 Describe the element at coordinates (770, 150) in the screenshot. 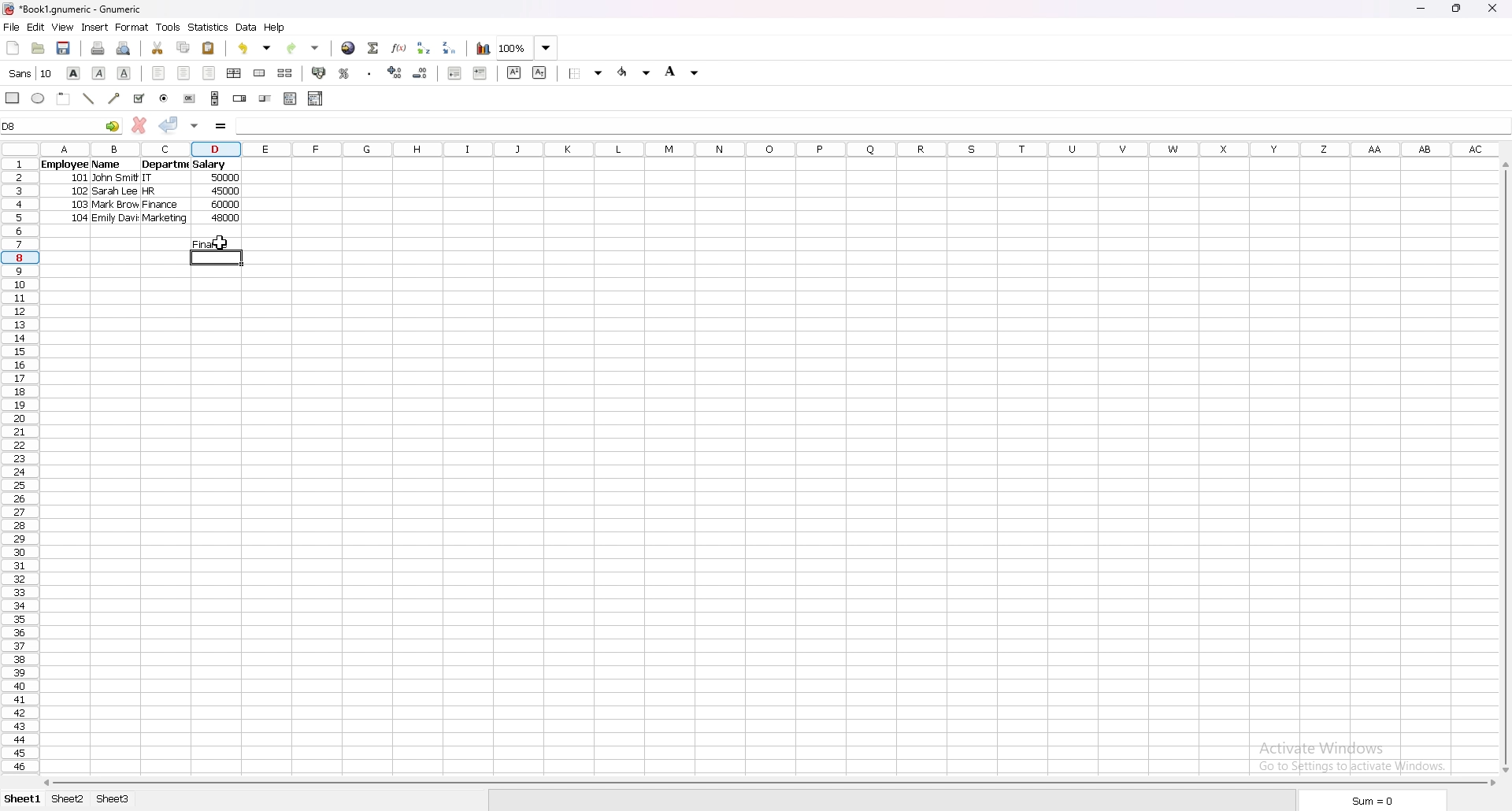

I see `column` at that location.